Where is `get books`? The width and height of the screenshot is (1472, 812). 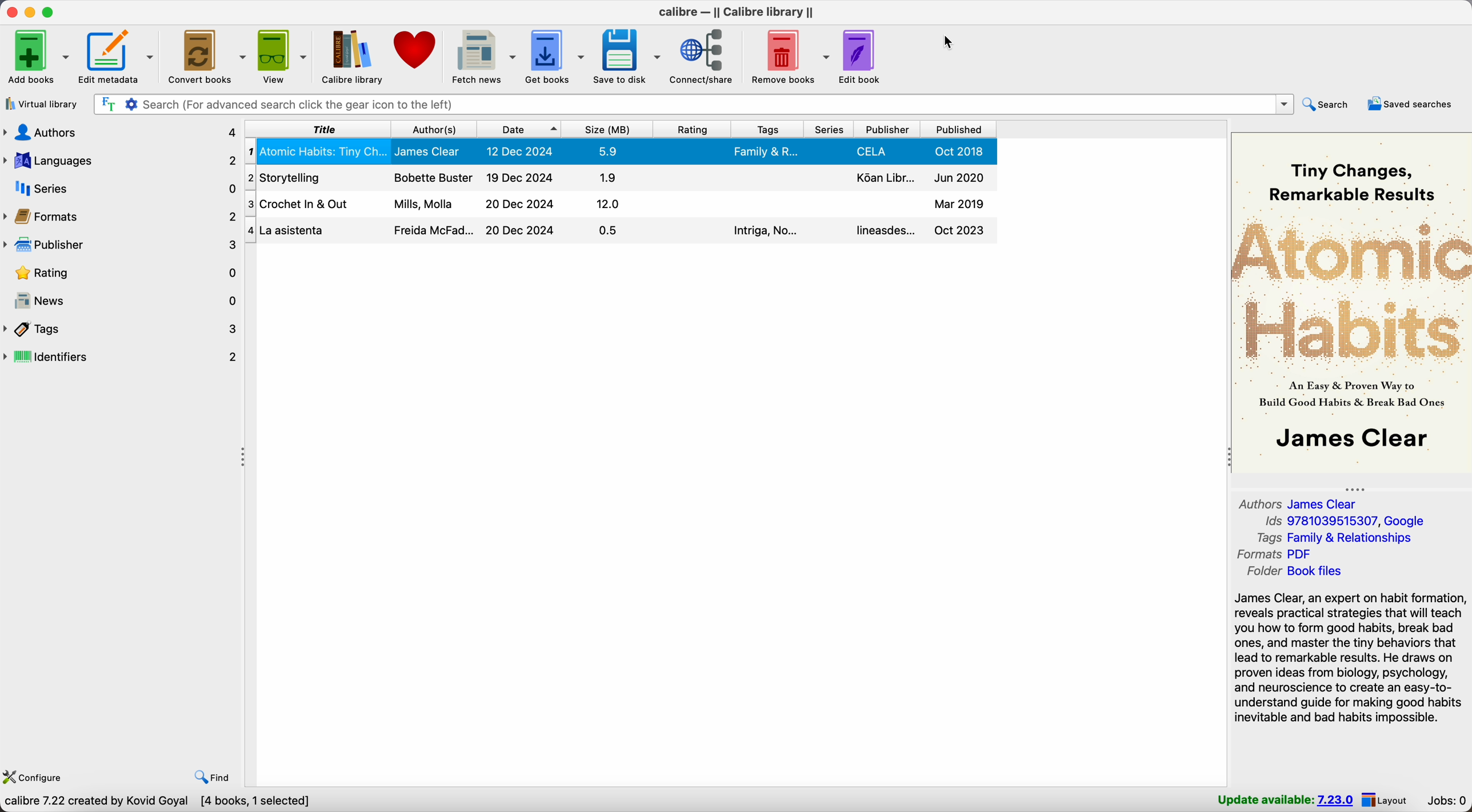 get books is located at coordinates (555, 56).